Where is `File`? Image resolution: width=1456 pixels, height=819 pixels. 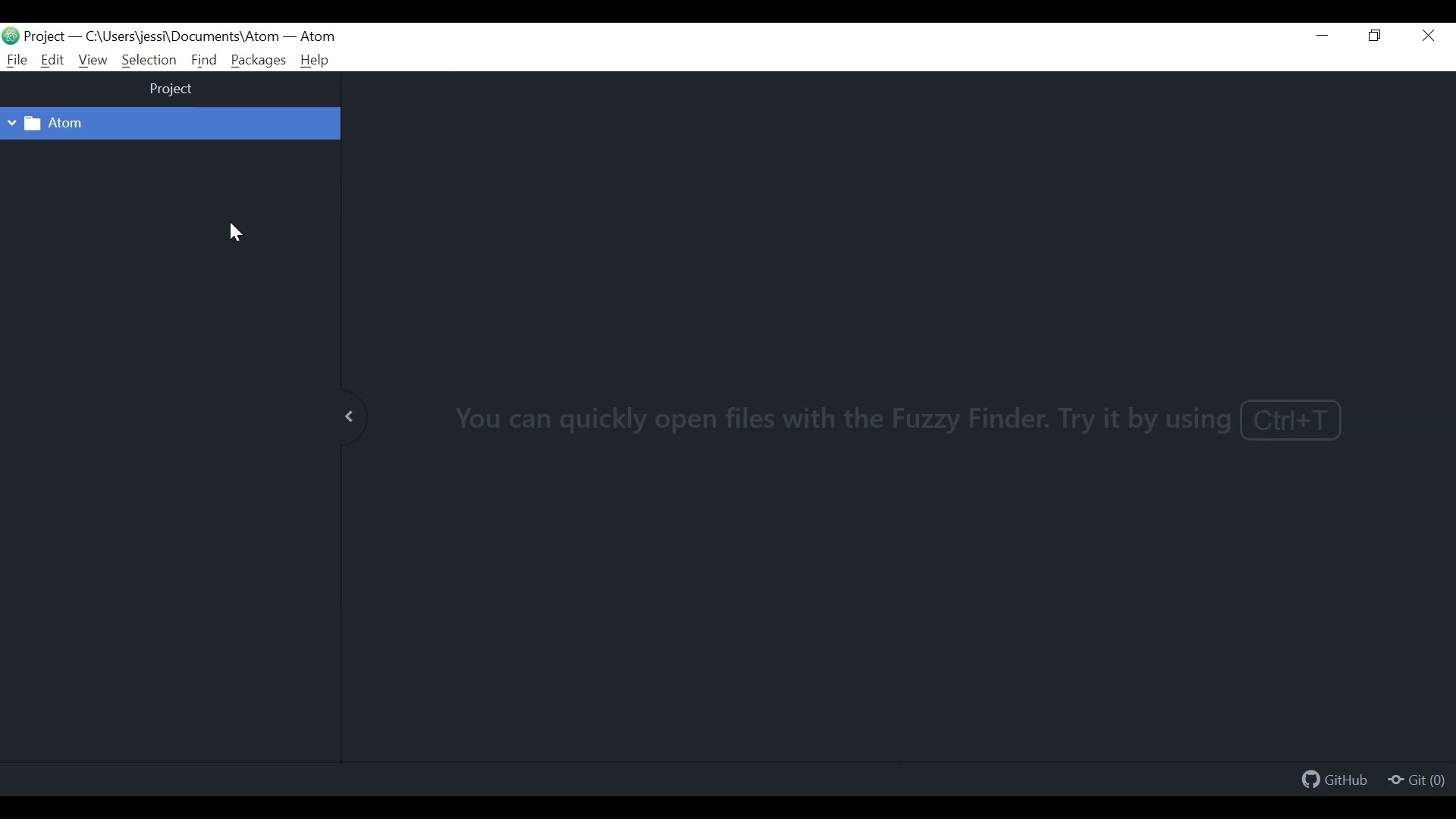 File is located at coordinates (14, 60).